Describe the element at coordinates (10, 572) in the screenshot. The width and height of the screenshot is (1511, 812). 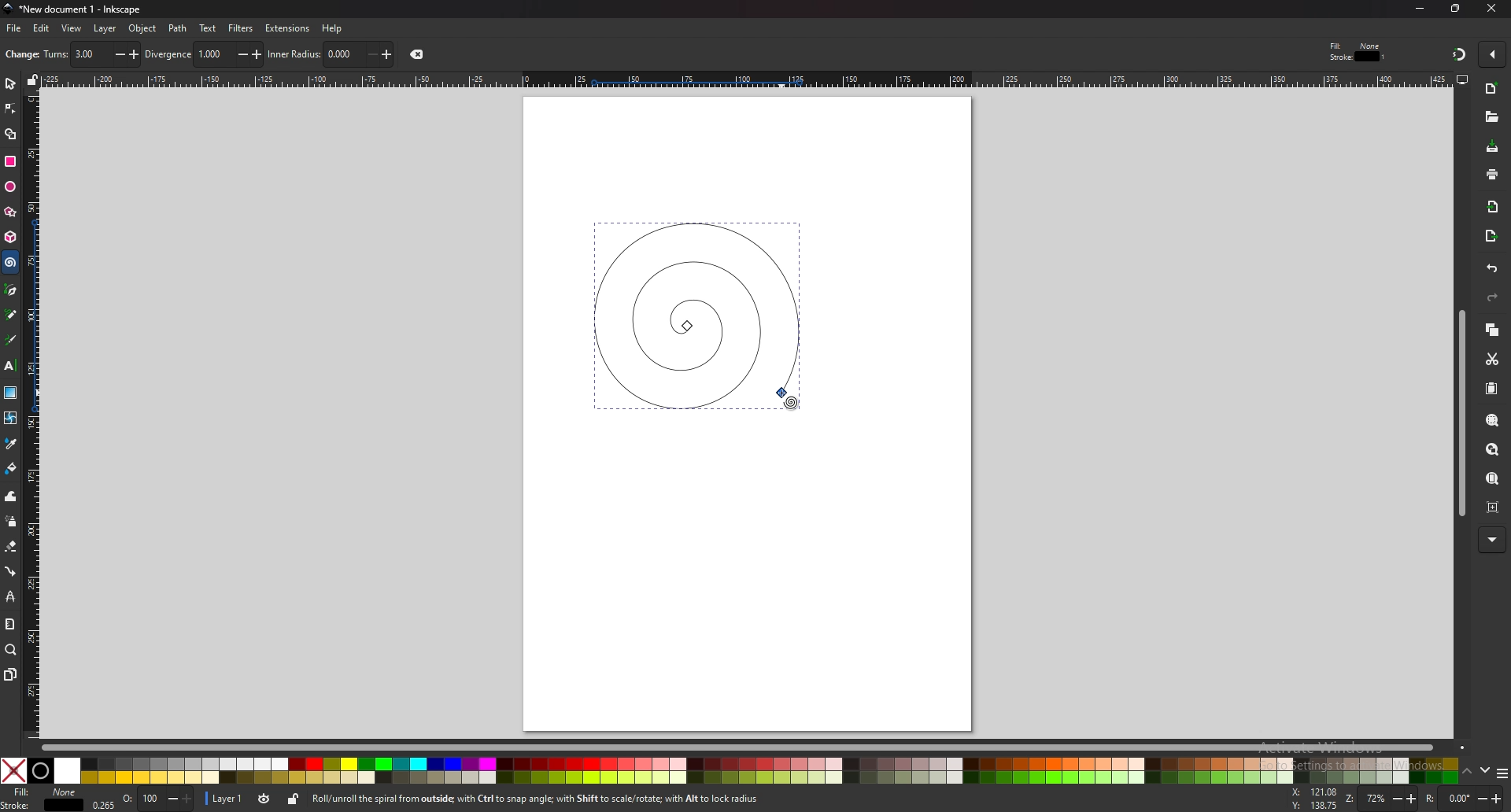
I see `connector` at that location.